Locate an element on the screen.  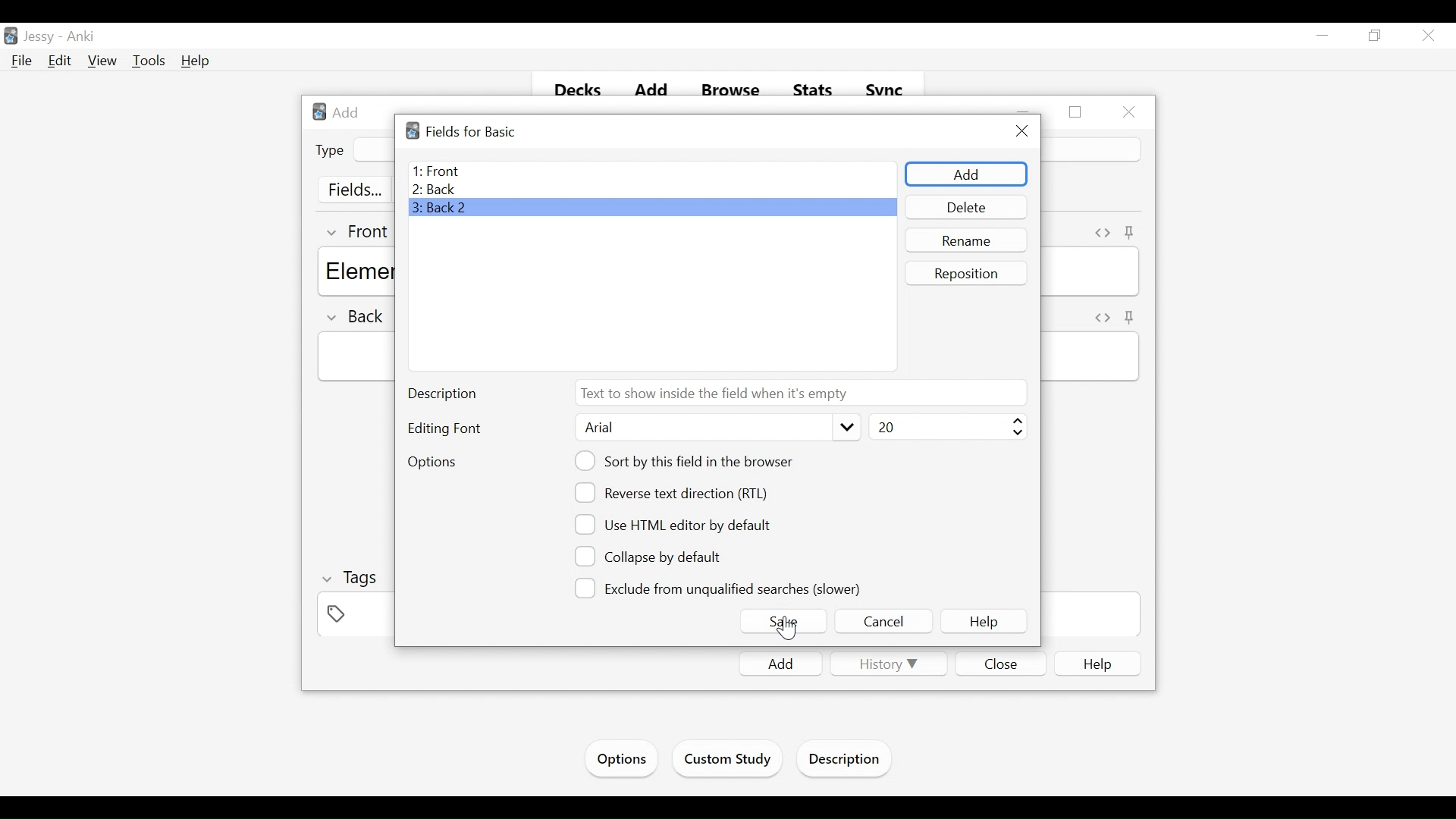
Arial is located at coordinates (718, 428).